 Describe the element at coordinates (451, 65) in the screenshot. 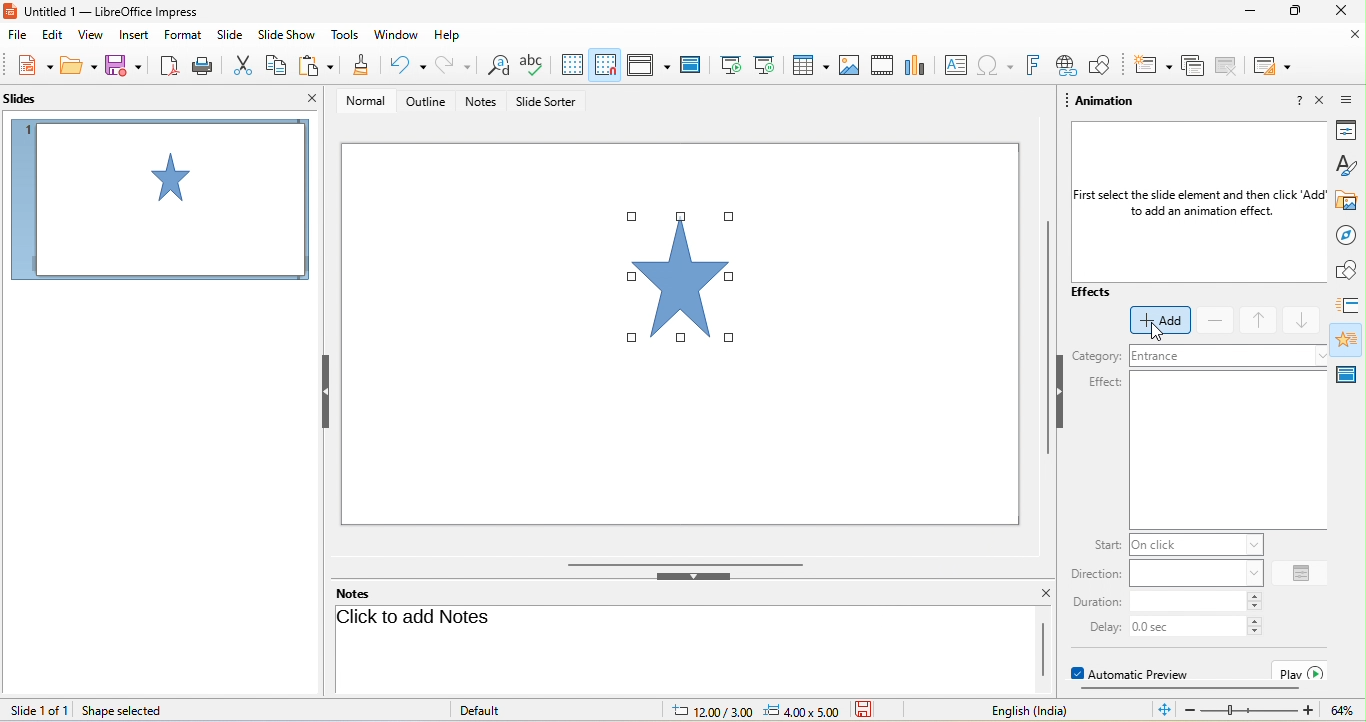

I see `redo` at that location.